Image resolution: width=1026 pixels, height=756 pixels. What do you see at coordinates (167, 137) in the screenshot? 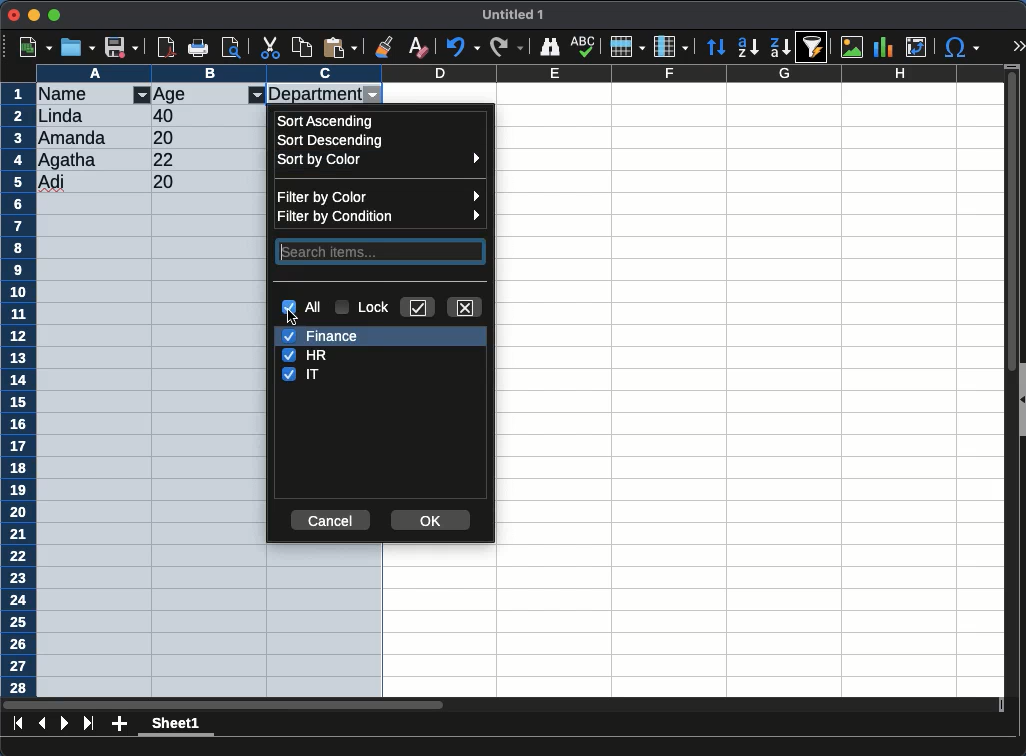
I see `20` at bounding box center [167, 137].